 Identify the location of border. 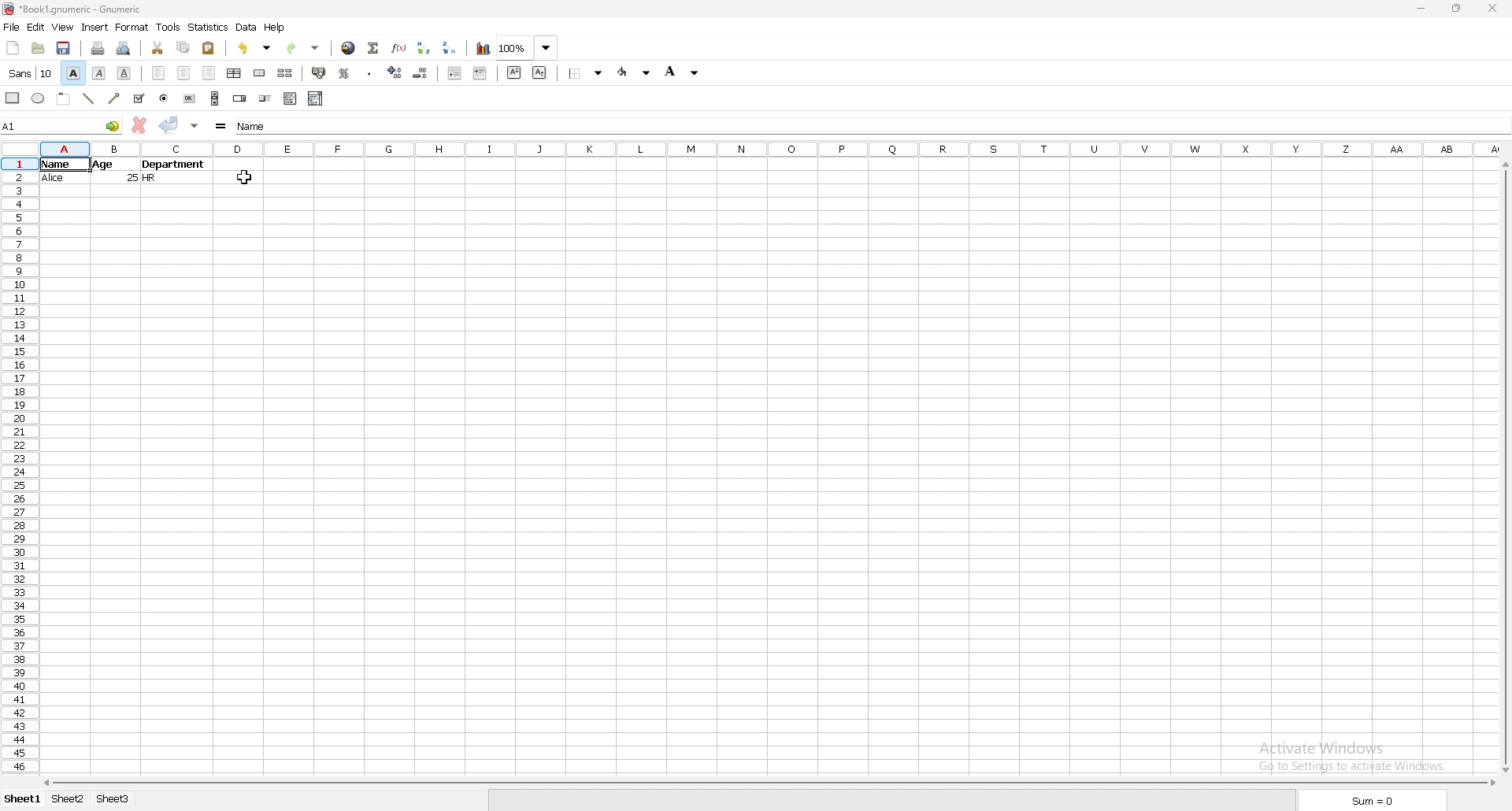
(587, 73).